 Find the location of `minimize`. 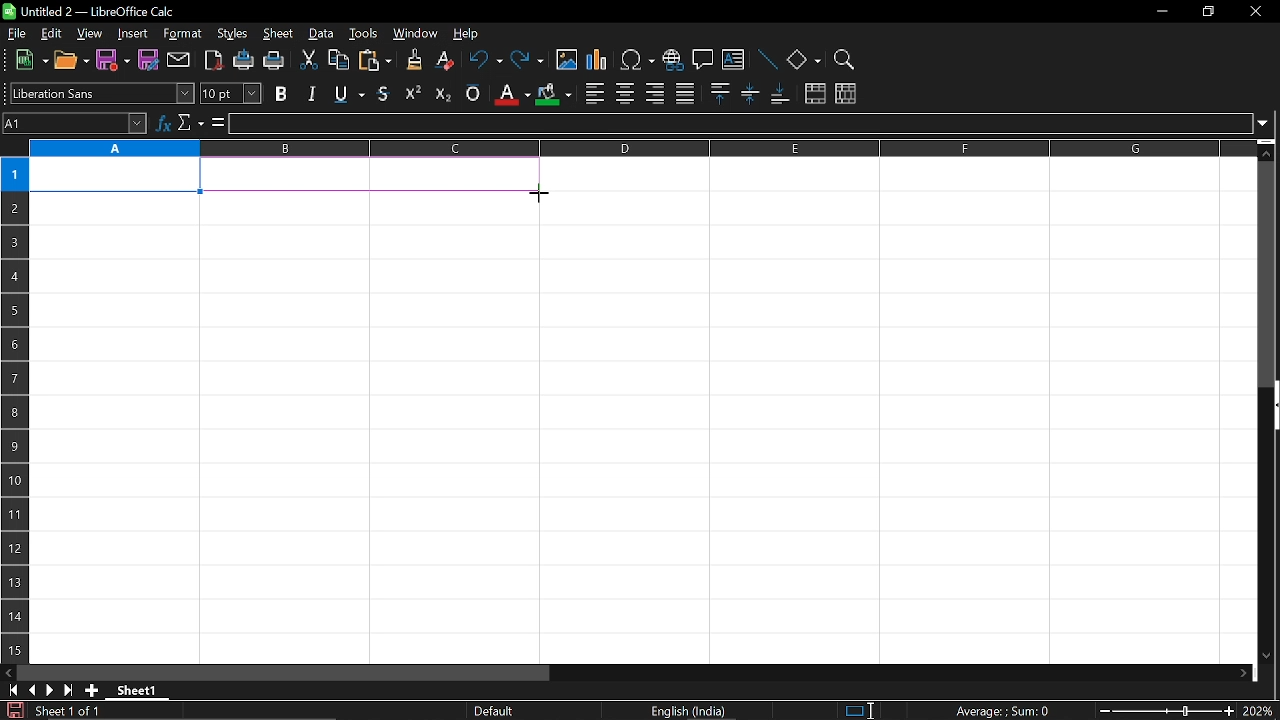

minimize is located at coordinates (1162, 10).